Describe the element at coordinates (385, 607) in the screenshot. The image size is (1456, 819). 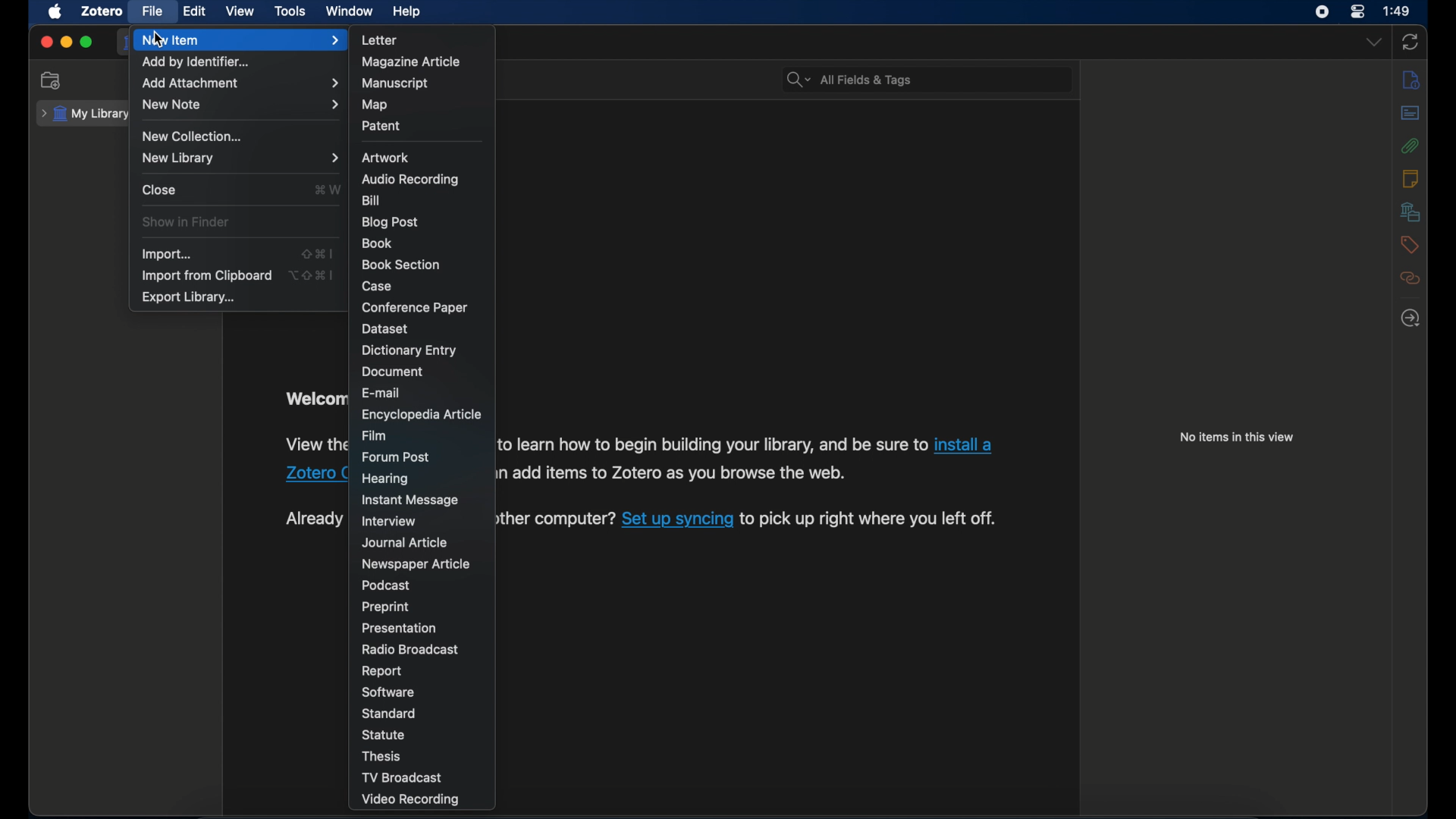
I see `preprint` at that location.